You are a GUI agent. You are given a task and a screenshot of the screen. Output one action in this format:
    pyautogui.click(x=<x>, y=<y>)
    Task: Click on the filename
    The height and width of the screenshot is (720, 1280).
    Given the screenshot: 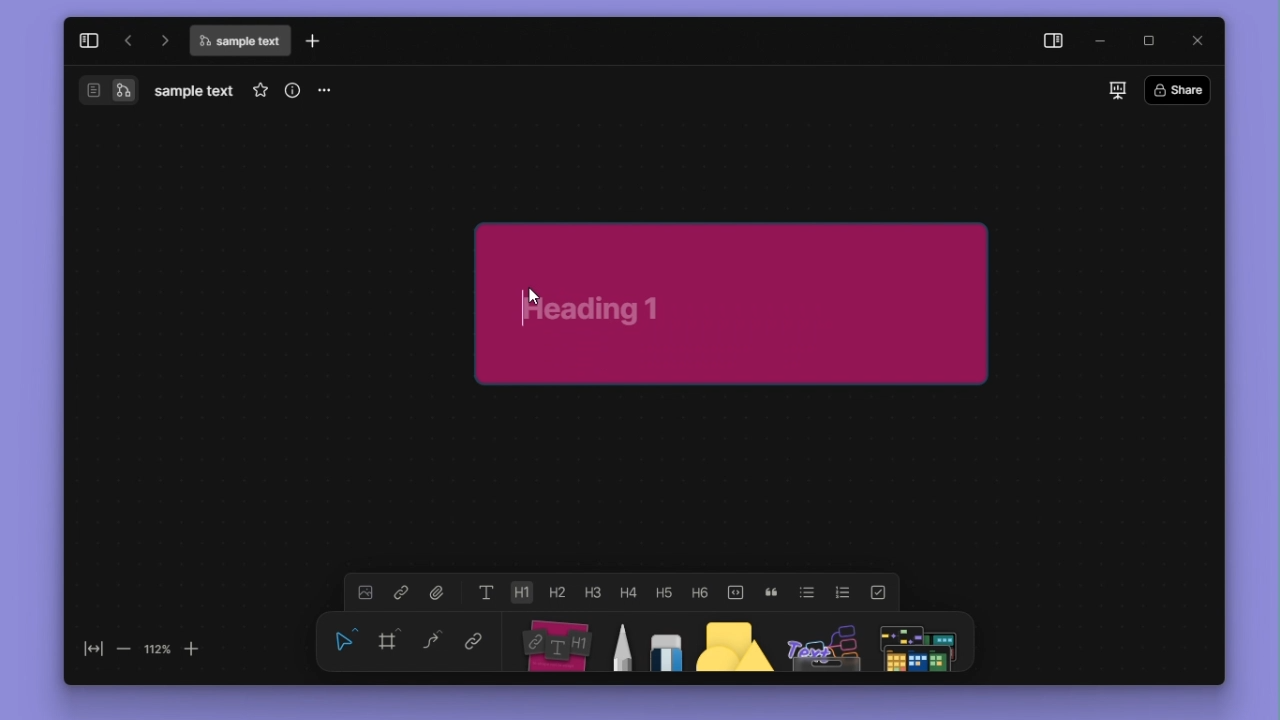 What is the action you would take?
    pyautogui.click(x=194, y=92)
    